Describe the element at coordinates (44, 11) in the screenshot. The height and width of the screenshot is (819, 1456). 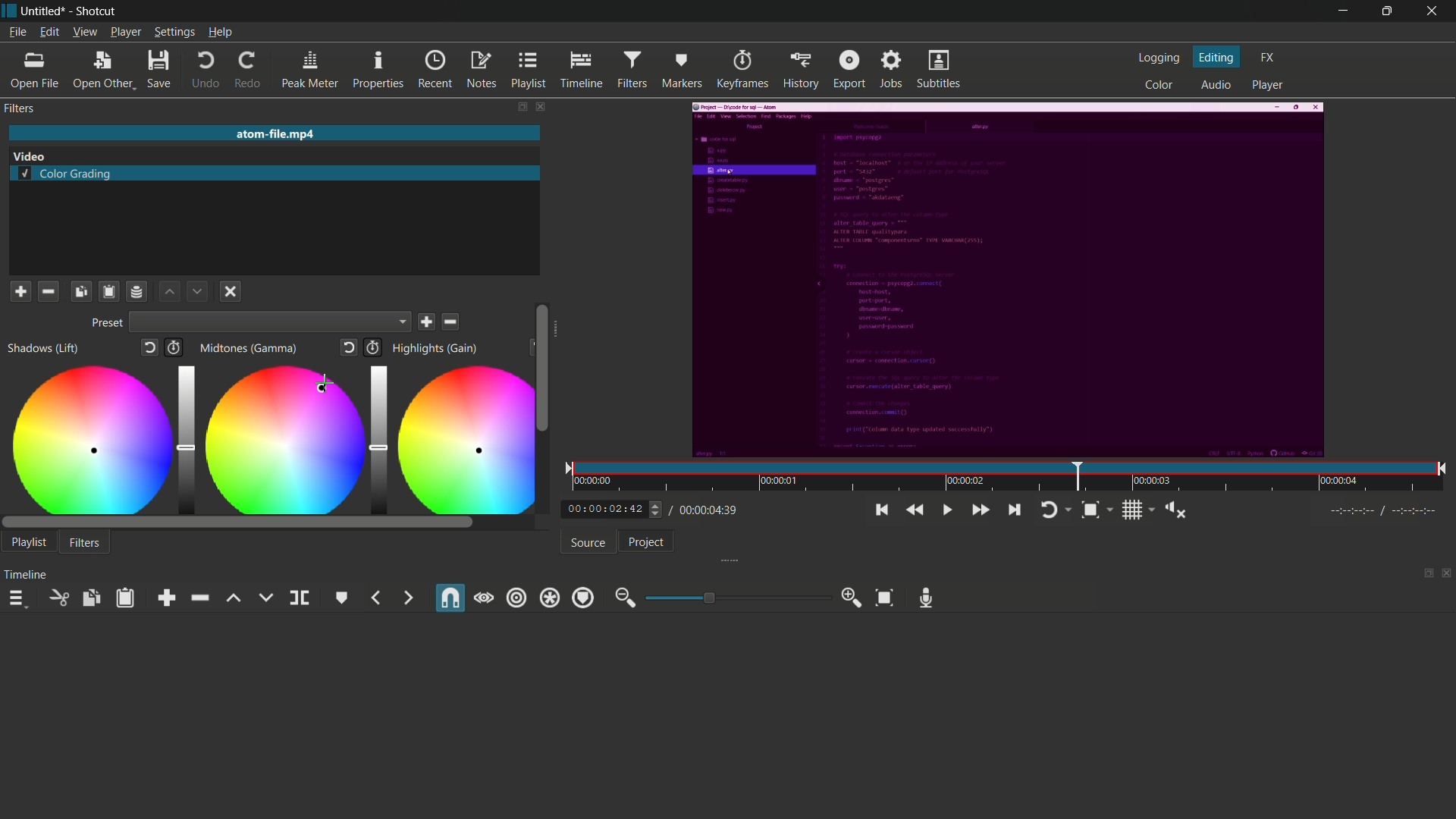
I see `project name` at that location.